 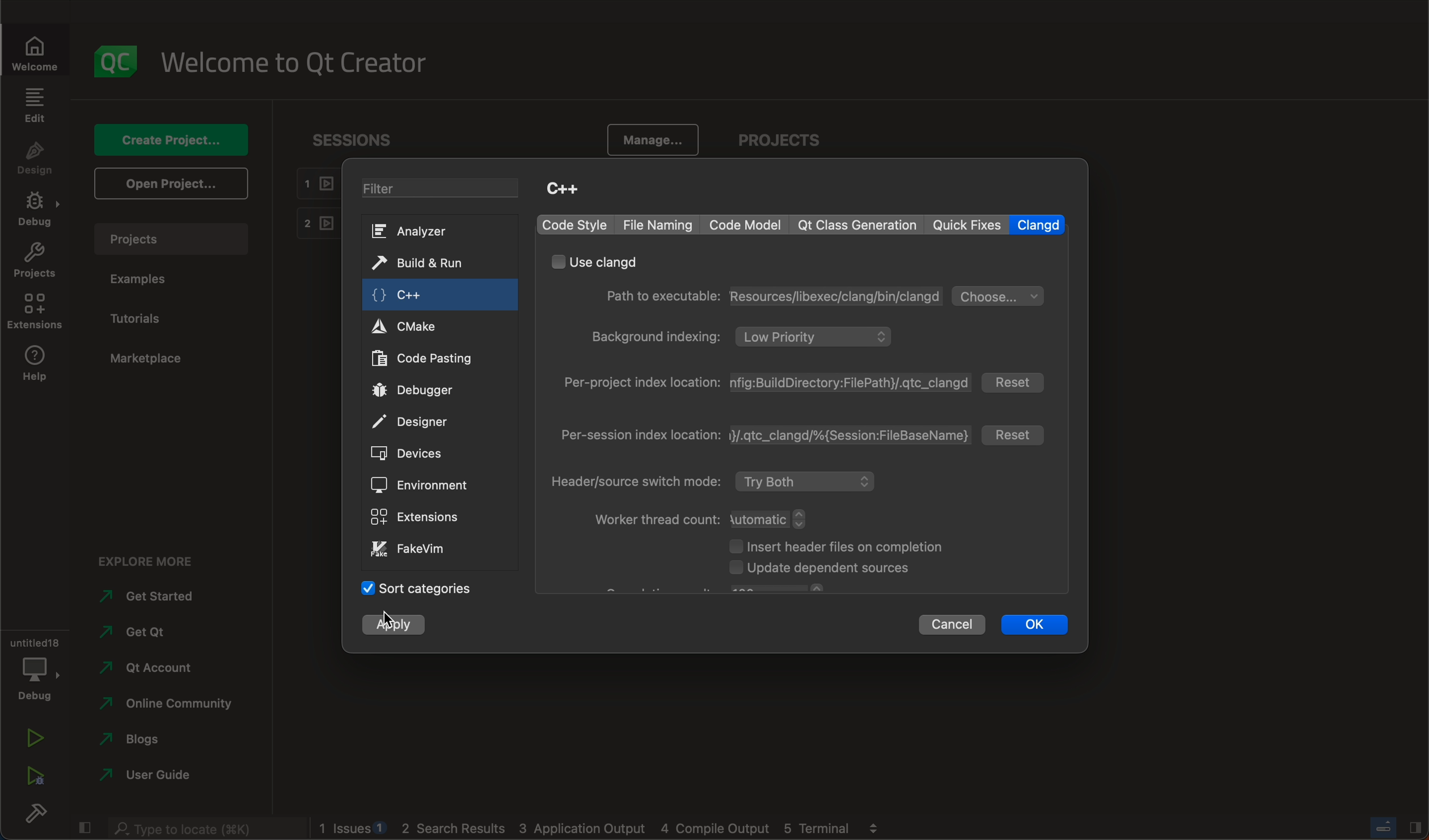 I want to click on reset, so click(x=1015, y=382).